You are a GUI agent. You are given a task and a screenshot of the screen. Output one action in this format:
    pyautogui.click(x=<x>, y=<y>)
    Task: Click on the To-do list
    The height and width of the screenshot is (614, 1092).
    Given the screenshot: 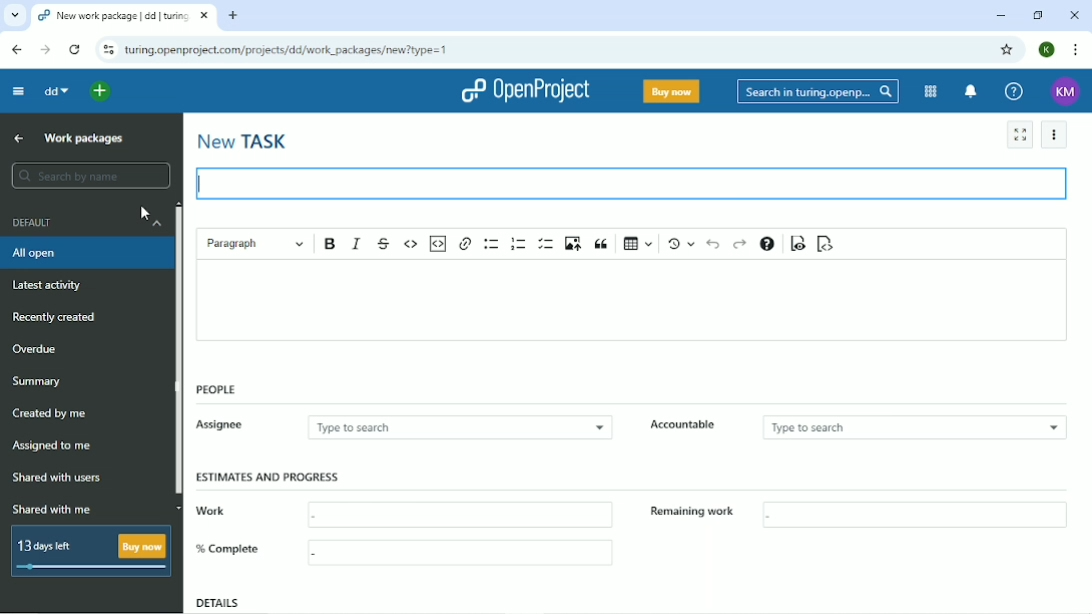 What is the action you would take?
    pyautogui.click(x=546, y=243)
    